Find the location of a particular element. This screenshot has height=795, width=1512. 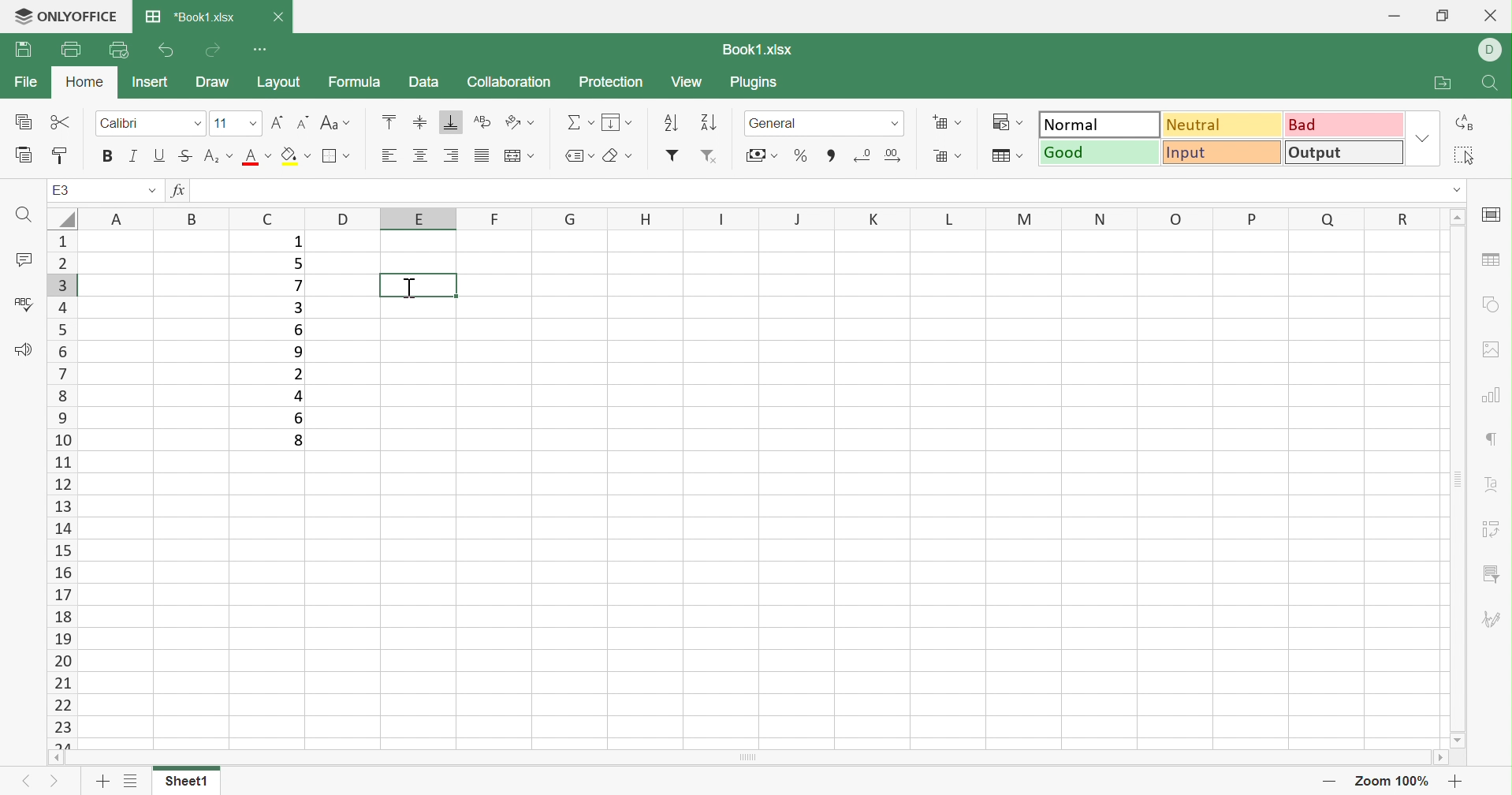

cell settings is located at coordinates (1494, 215).